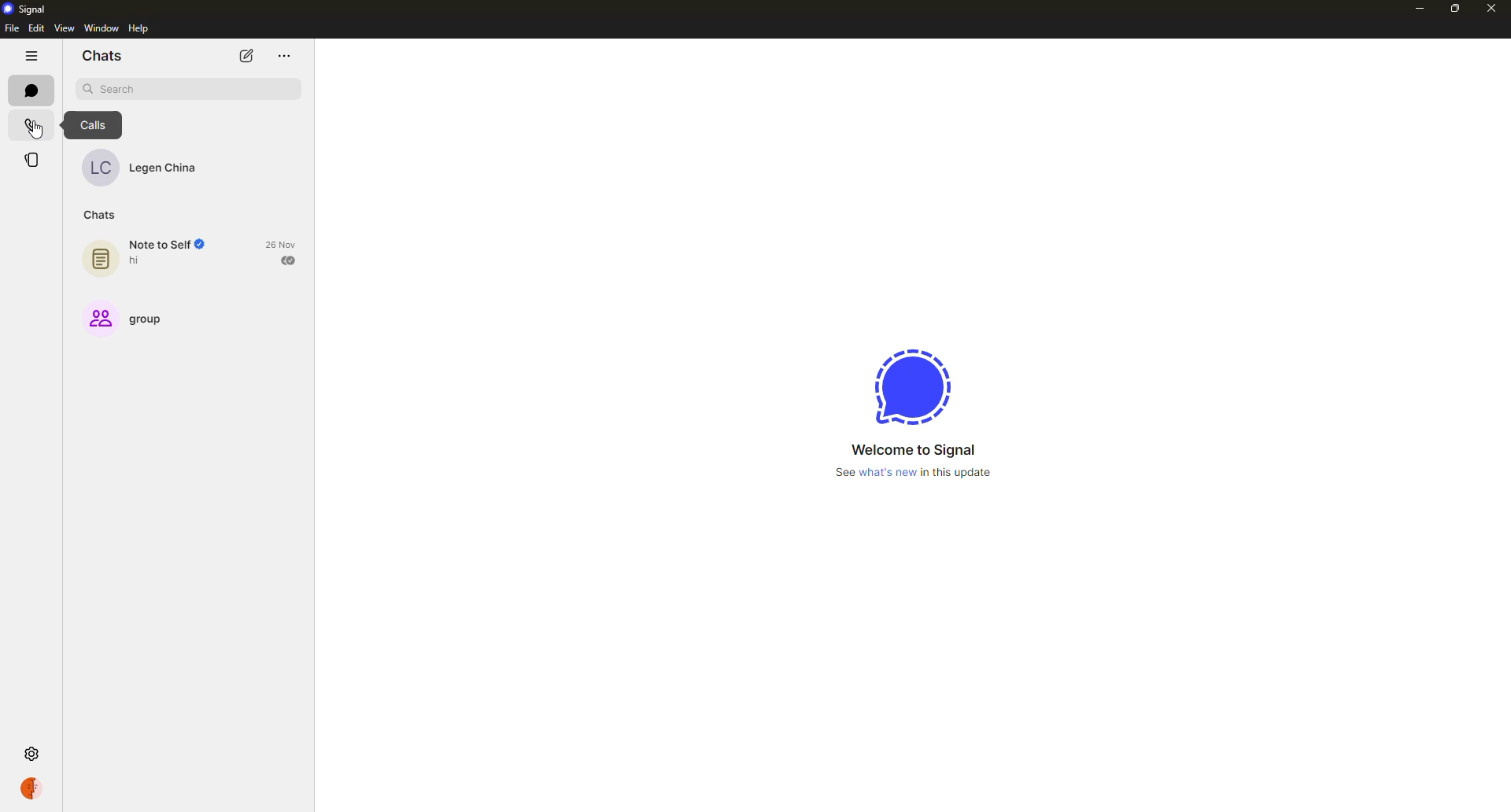 The image size is (1511, 812). I want to click on search, so click(189, 88).